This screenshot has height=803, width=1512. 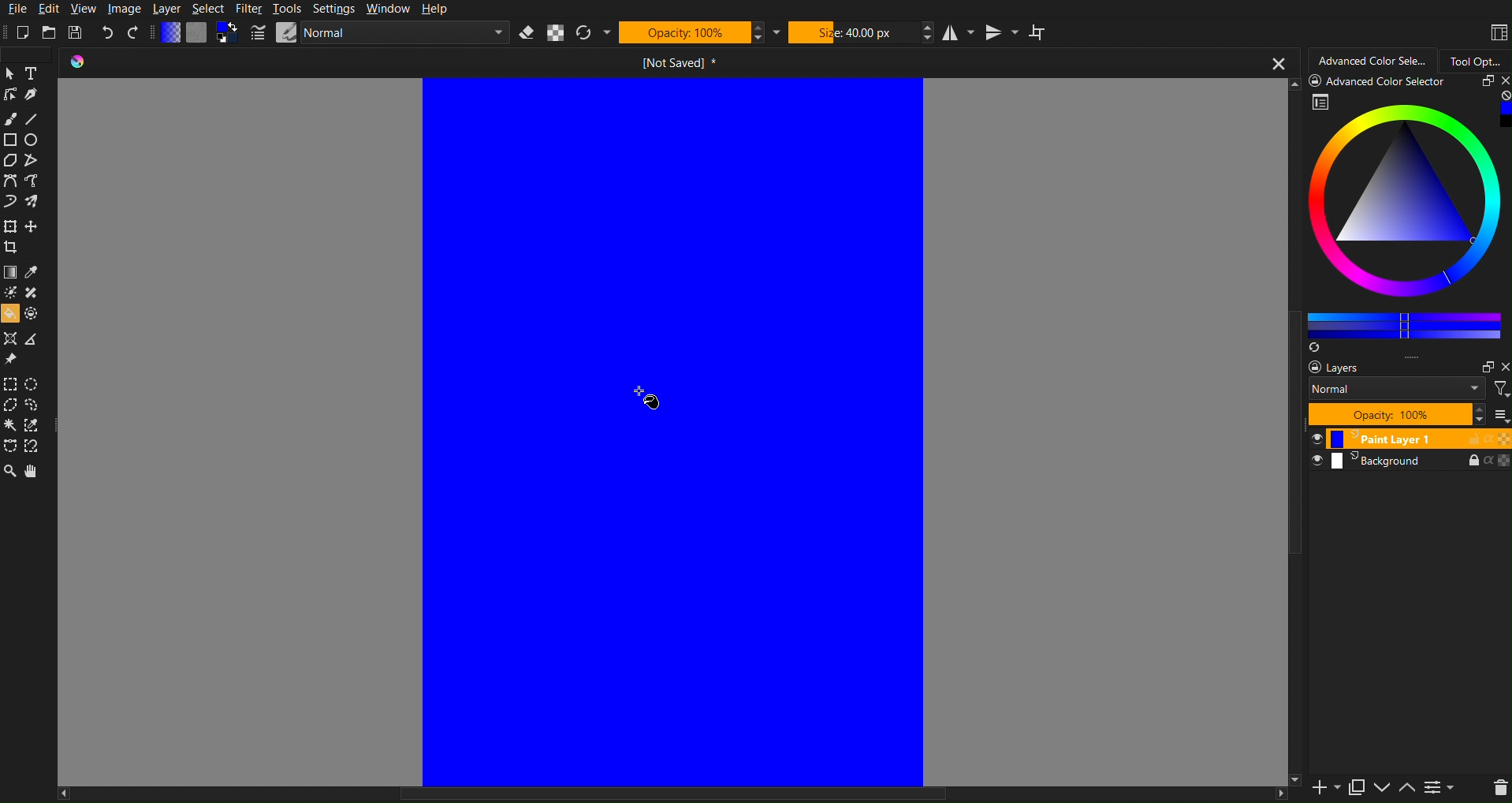 I want to click on Wrap Around, so click(x=1040, y=32).